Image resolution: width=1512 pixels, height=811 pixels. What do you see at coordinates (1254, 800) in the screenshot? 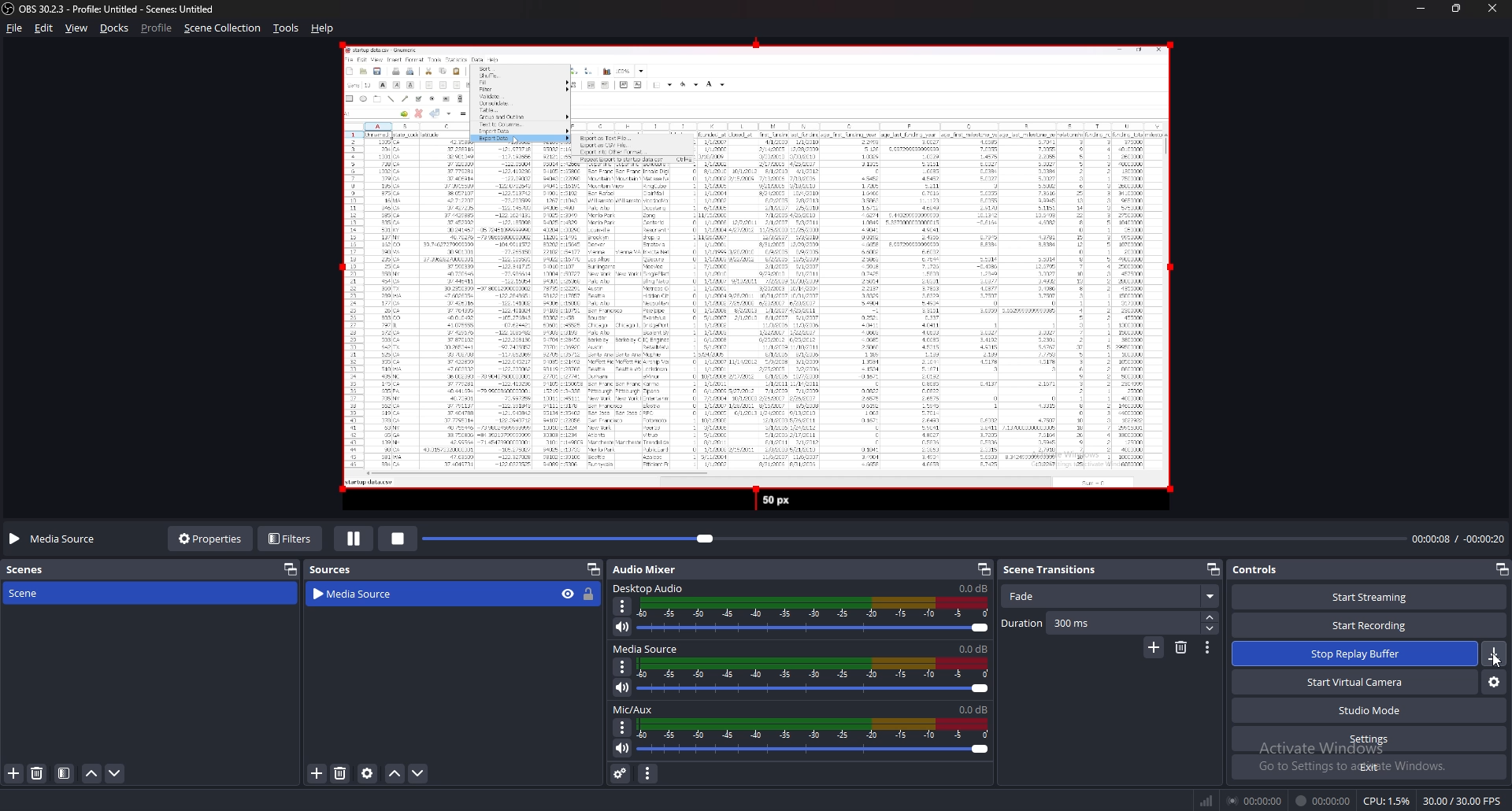
I see `00:00:00` at bounding box center [1254, 800].